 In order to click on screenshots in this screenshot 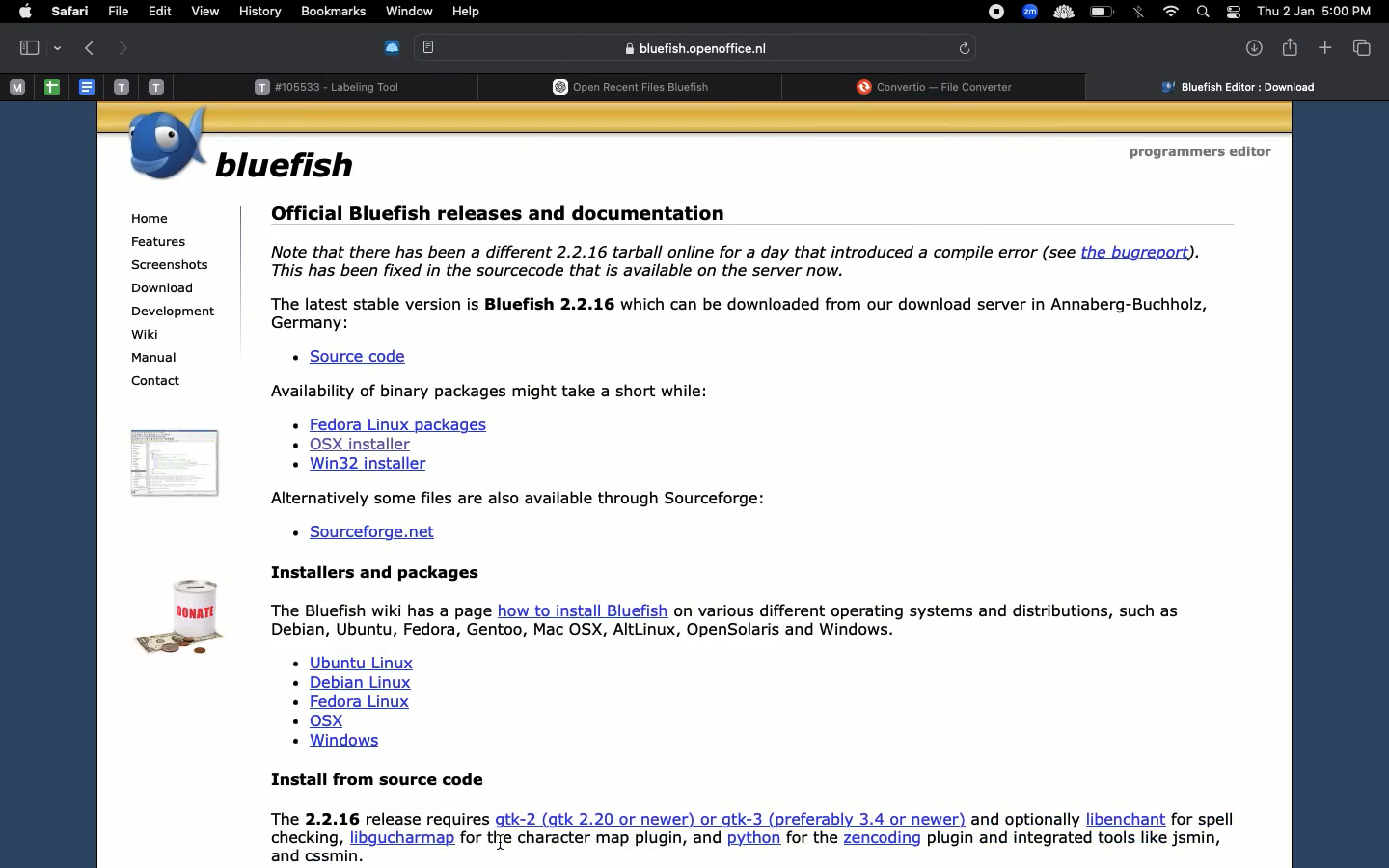, I will do `click(172, 264)`.